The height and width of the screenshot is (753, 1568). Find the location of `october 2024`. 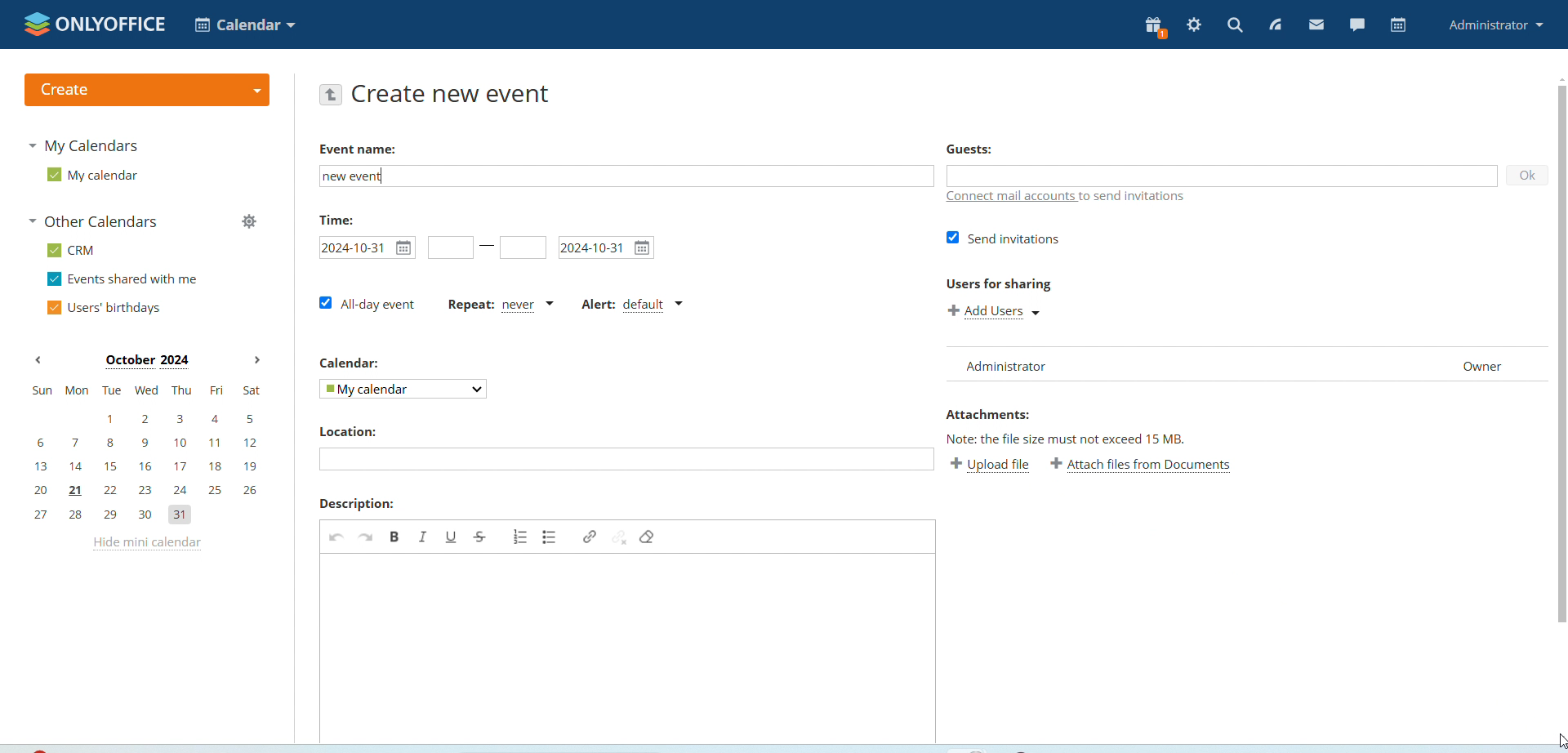

october 2024 is located at coordinates (146, 361).